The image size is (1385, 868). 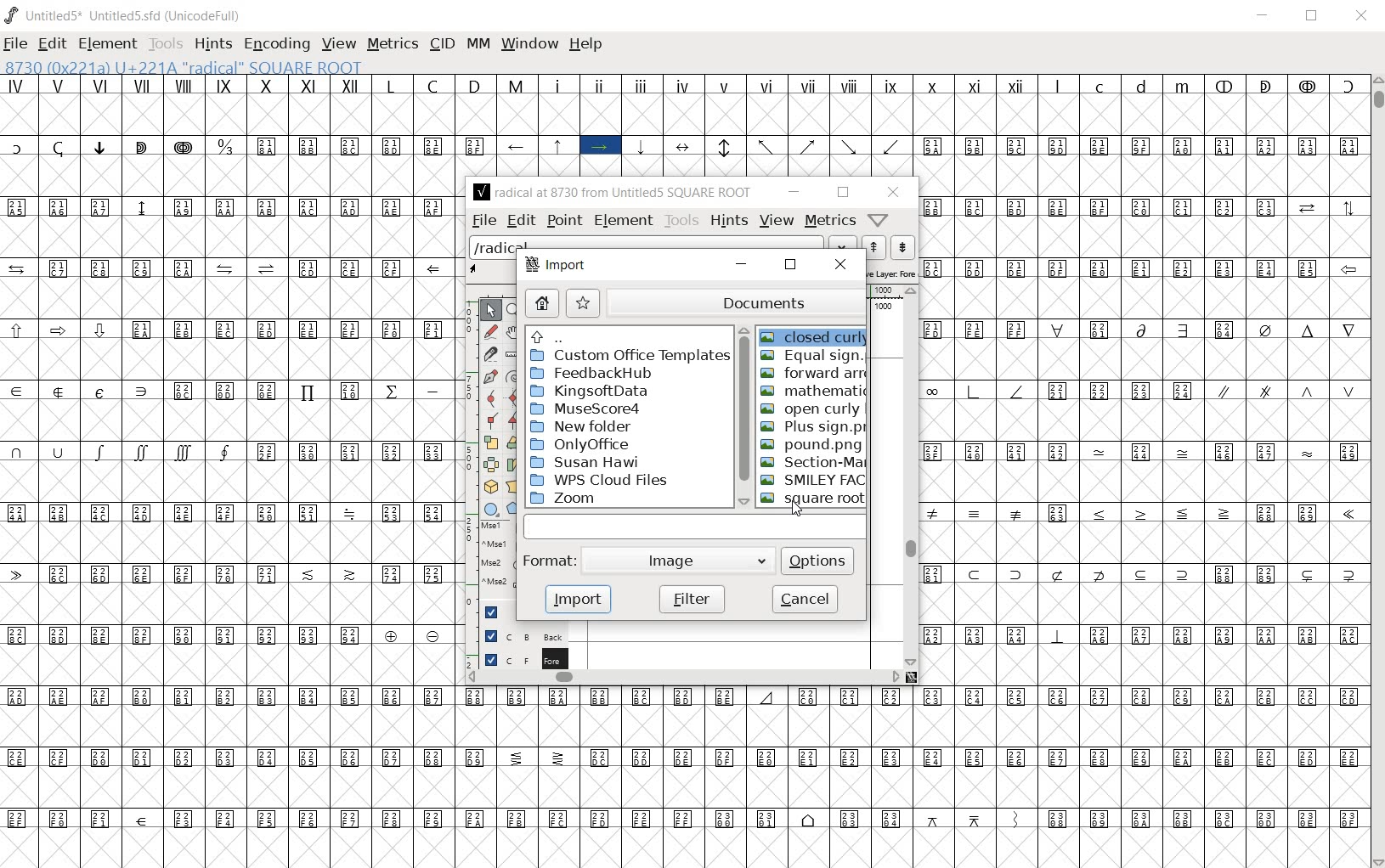 What do you see at coordinates (228, 475) in the screenshot?
I see `Glyph characters` at bounding box center [228, 475].